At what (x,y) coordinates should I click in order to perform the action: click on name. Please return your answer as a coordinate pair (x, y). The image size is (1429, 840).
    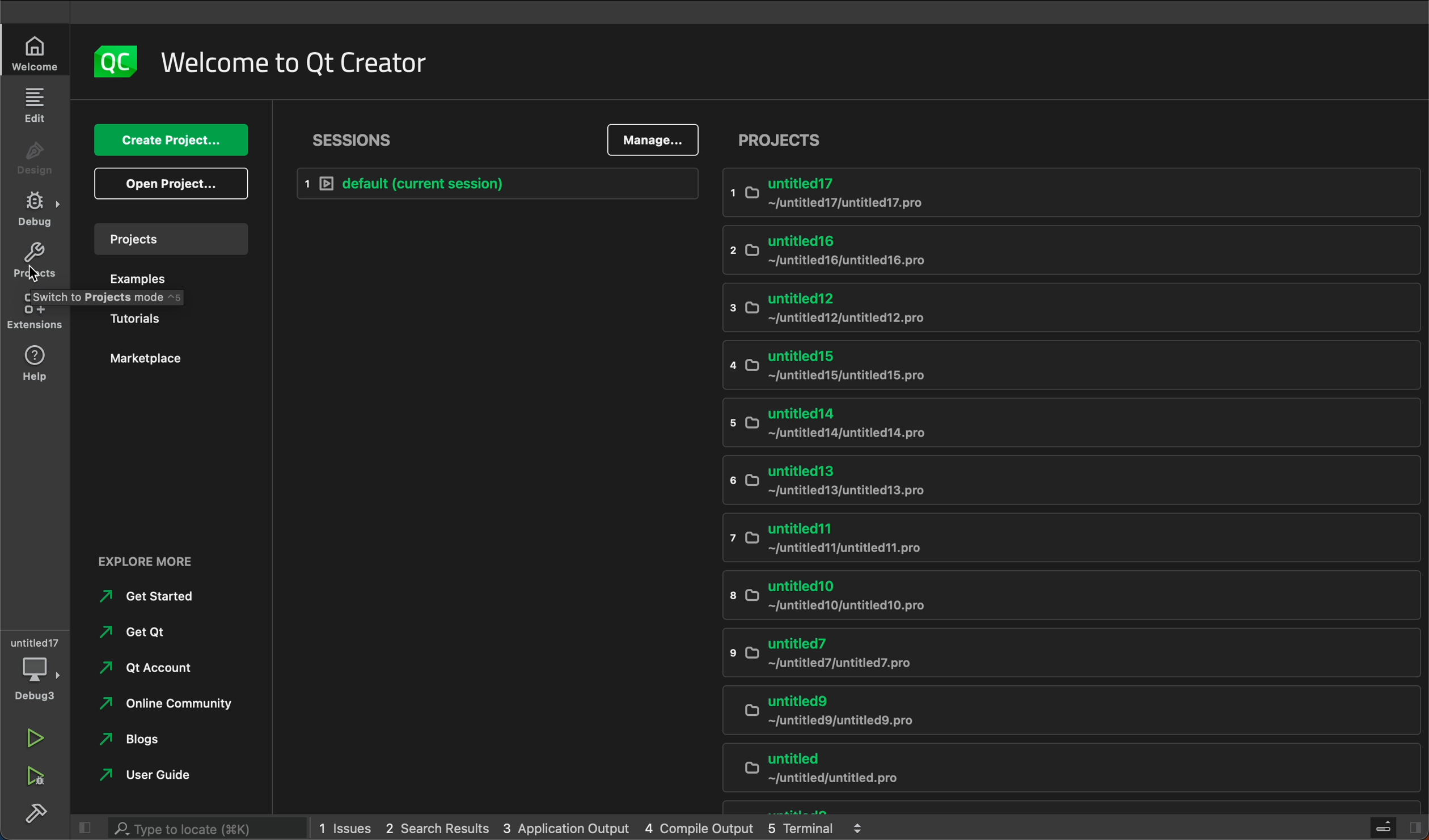
    Looking at the image, I should click on (303, 66).